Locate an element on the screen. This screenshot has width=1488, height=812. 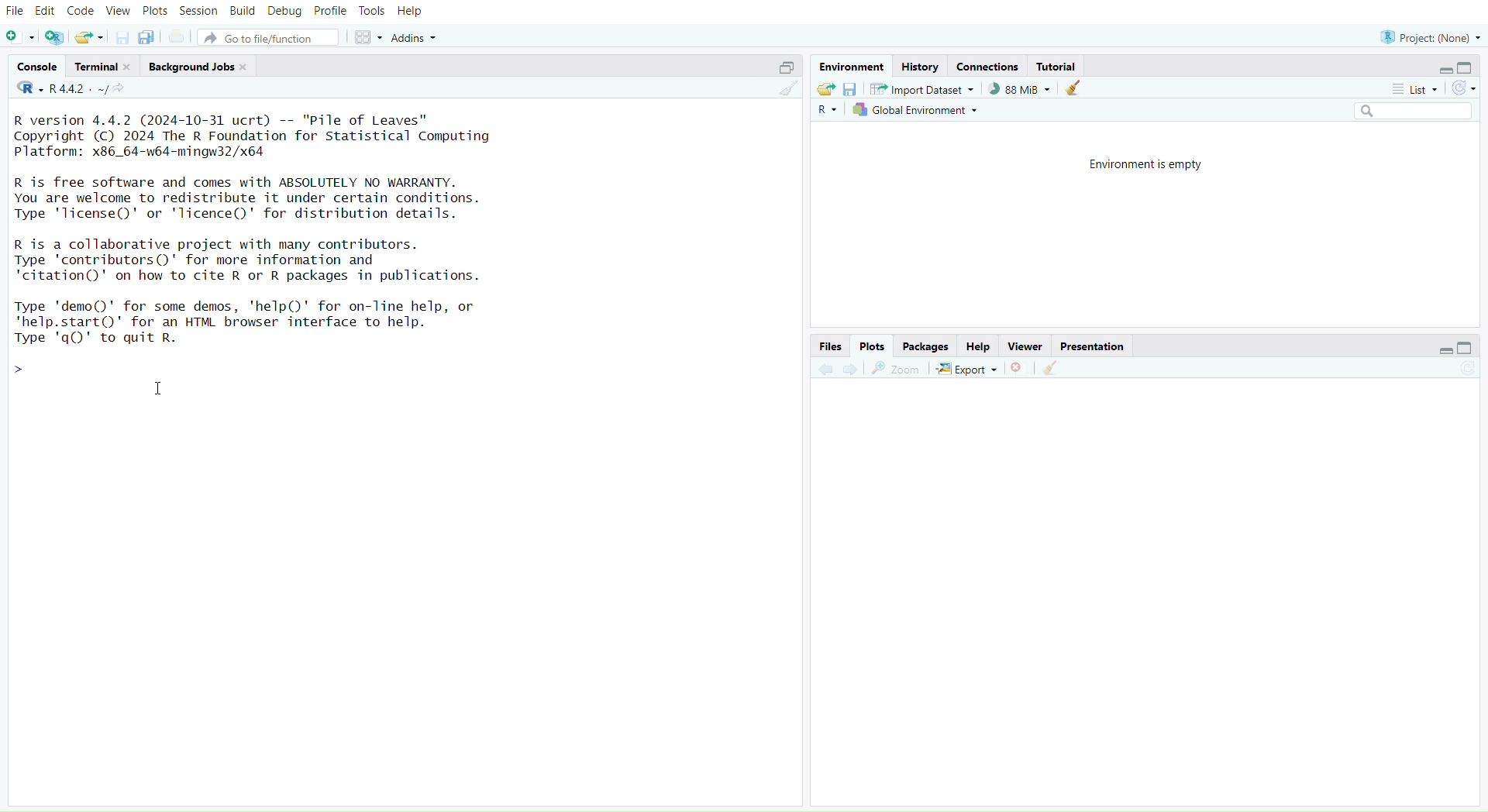
export is located at coordinates (968, 370).